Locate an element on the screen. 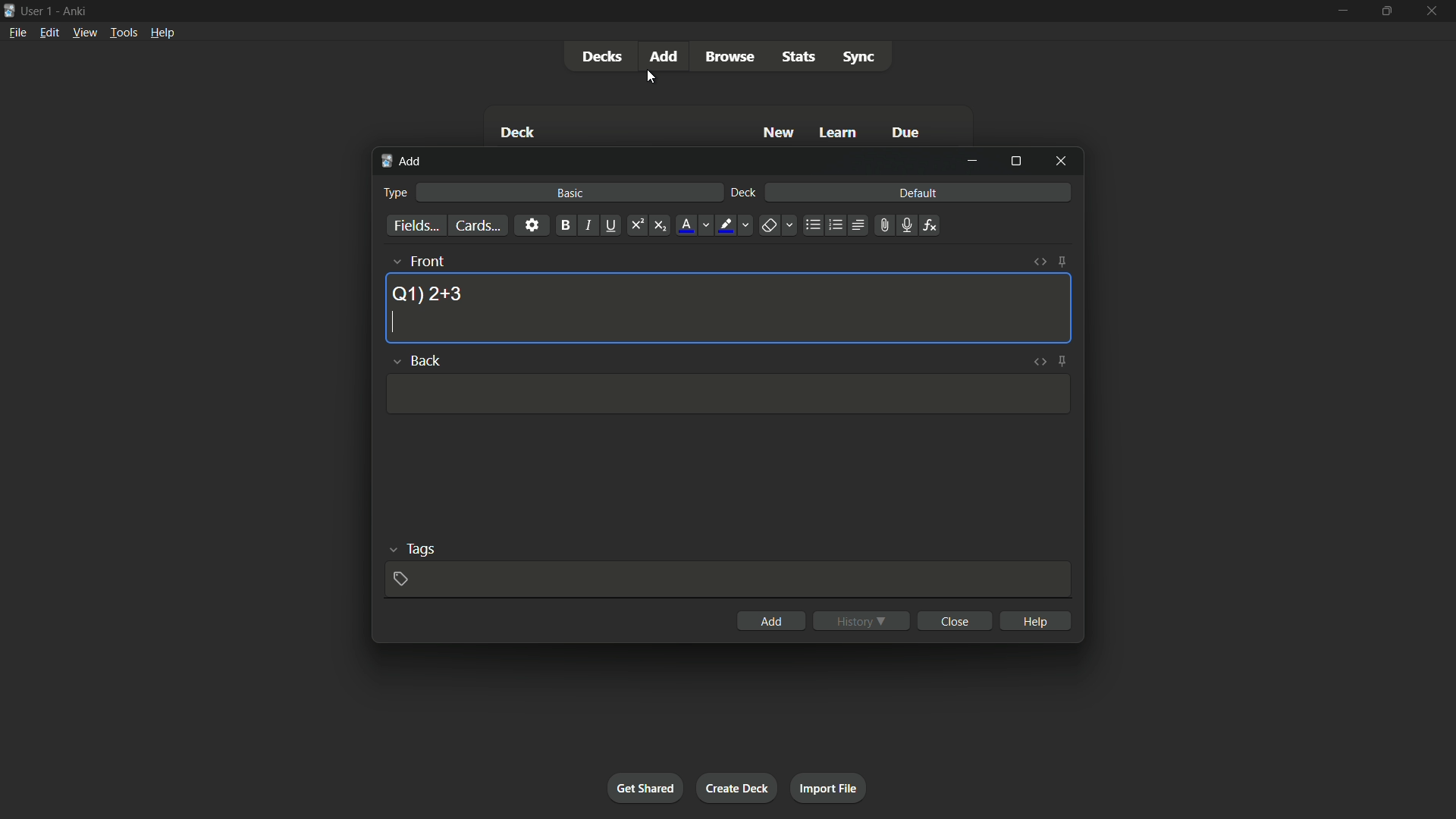  fields is located at coordinates (416, 227).